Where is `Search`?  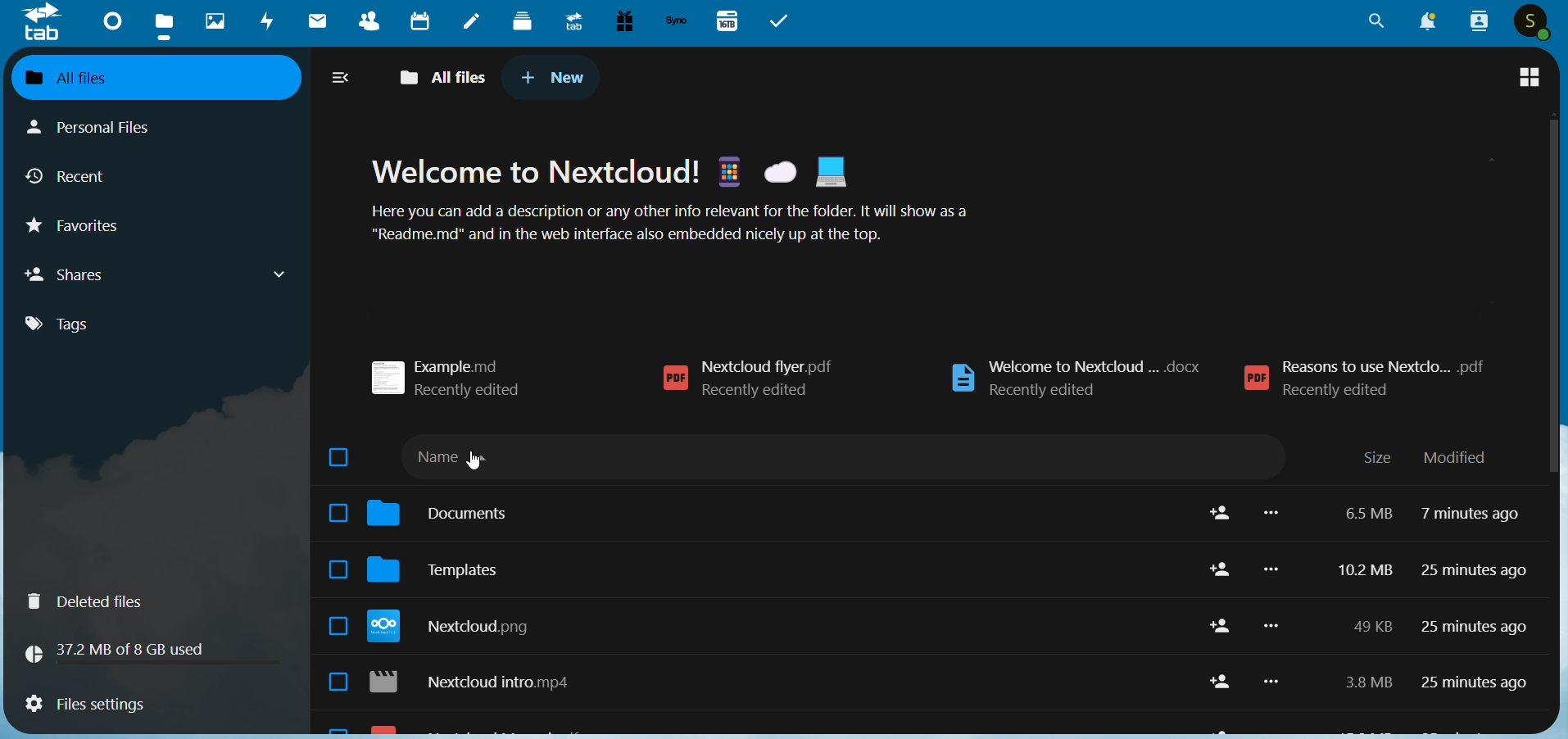
Search is located at coordinates (1374, 20).